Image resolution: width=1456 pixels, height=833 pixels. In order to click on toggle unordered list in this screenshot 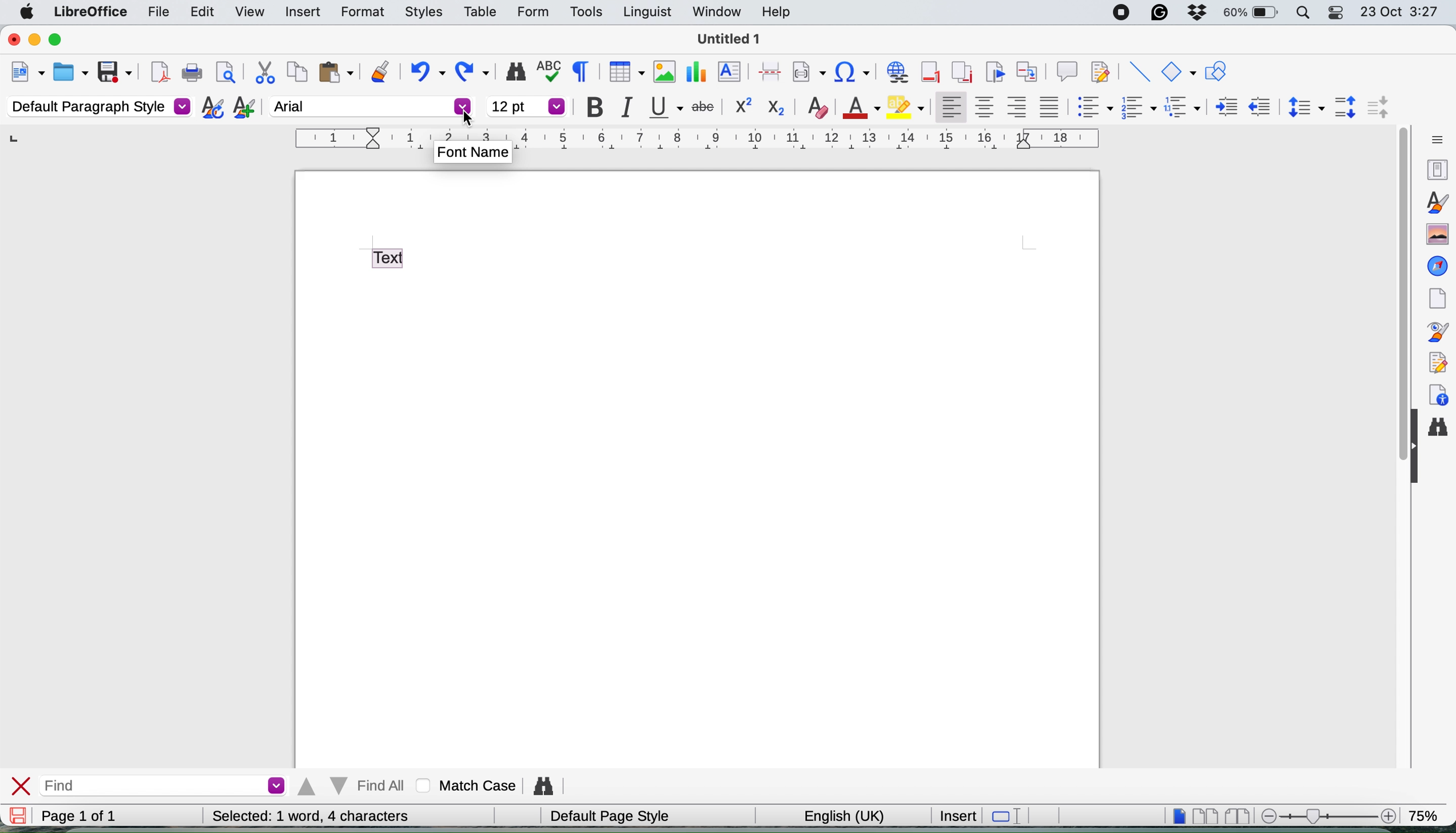, I will do `click(1092, 110)`.